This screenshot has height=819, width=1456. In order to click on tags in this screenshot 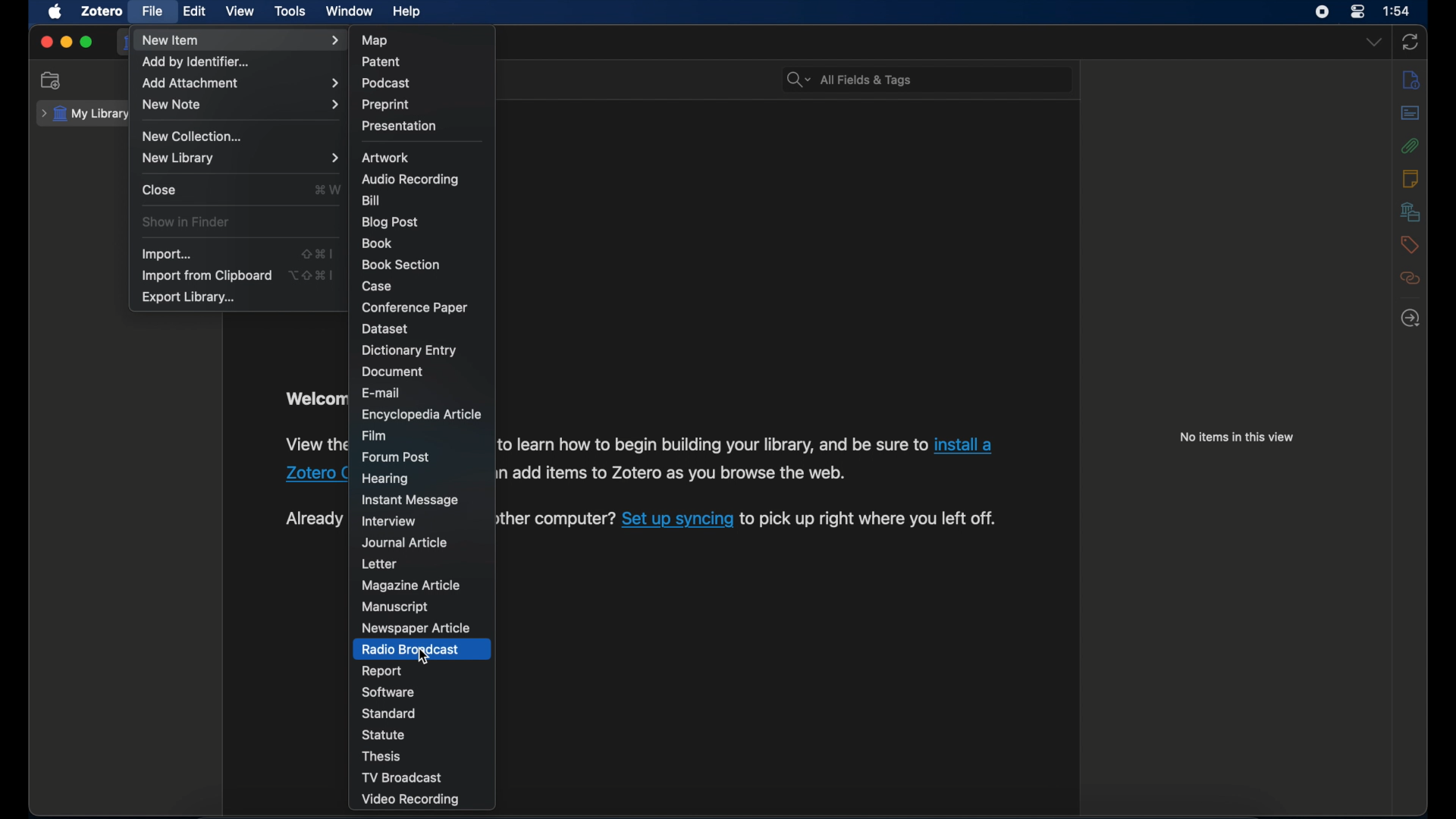, I will do `click(1410, 243)`.